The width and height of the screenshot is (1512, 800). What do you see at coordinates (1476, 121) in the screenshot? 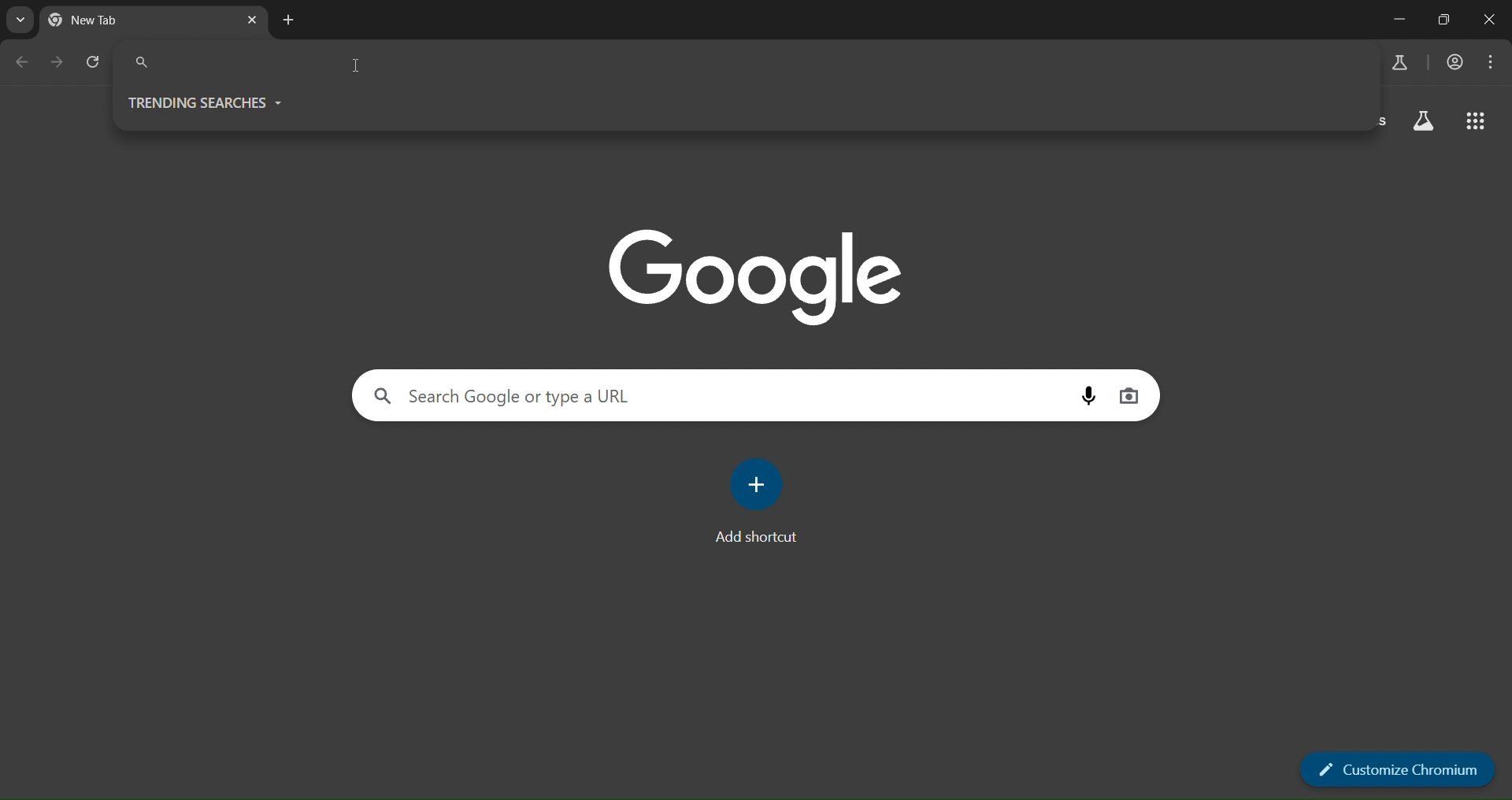
I see `google apps` at bounding box center [1476, 121].